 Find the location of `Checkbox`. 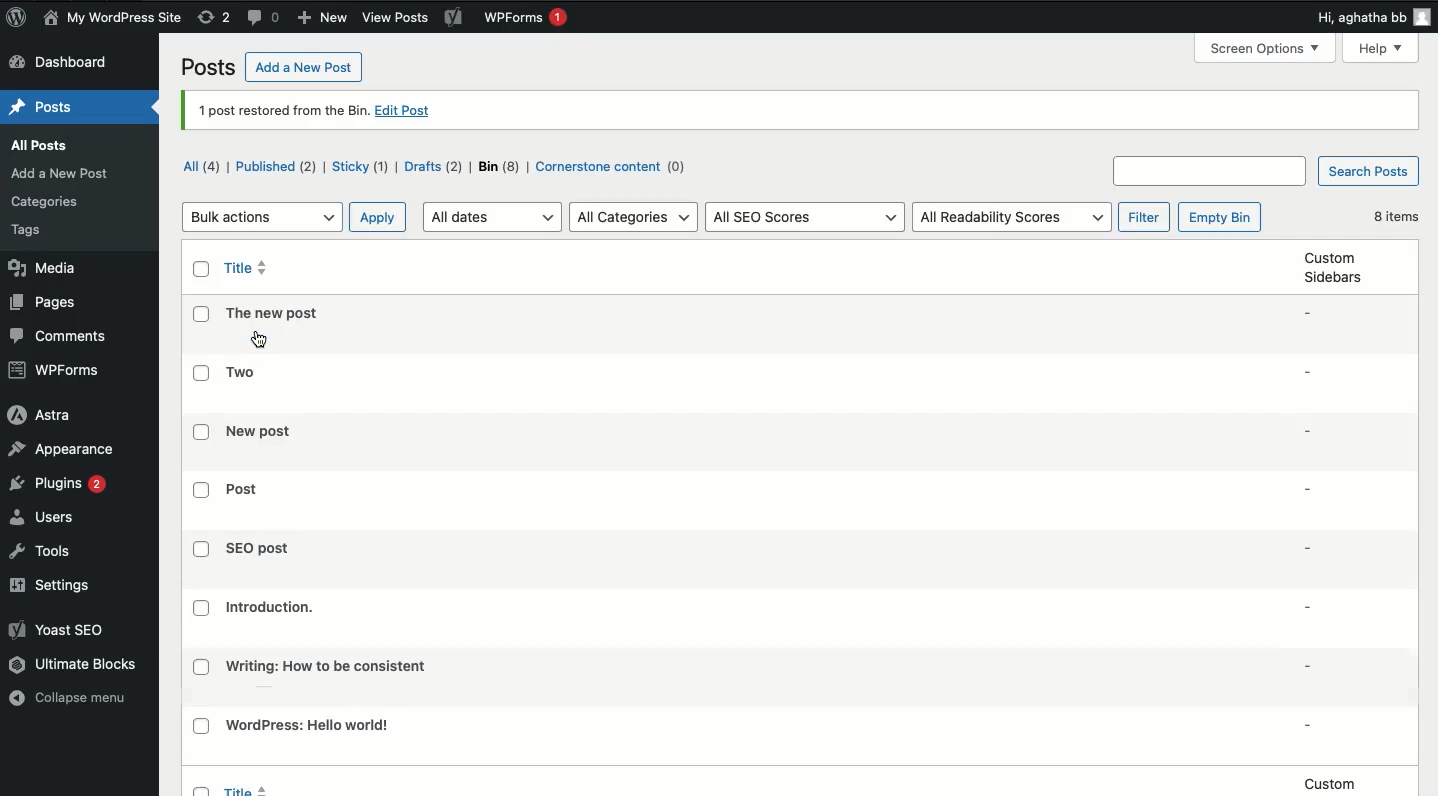

Checkbox is located at coordinates (202, 724).